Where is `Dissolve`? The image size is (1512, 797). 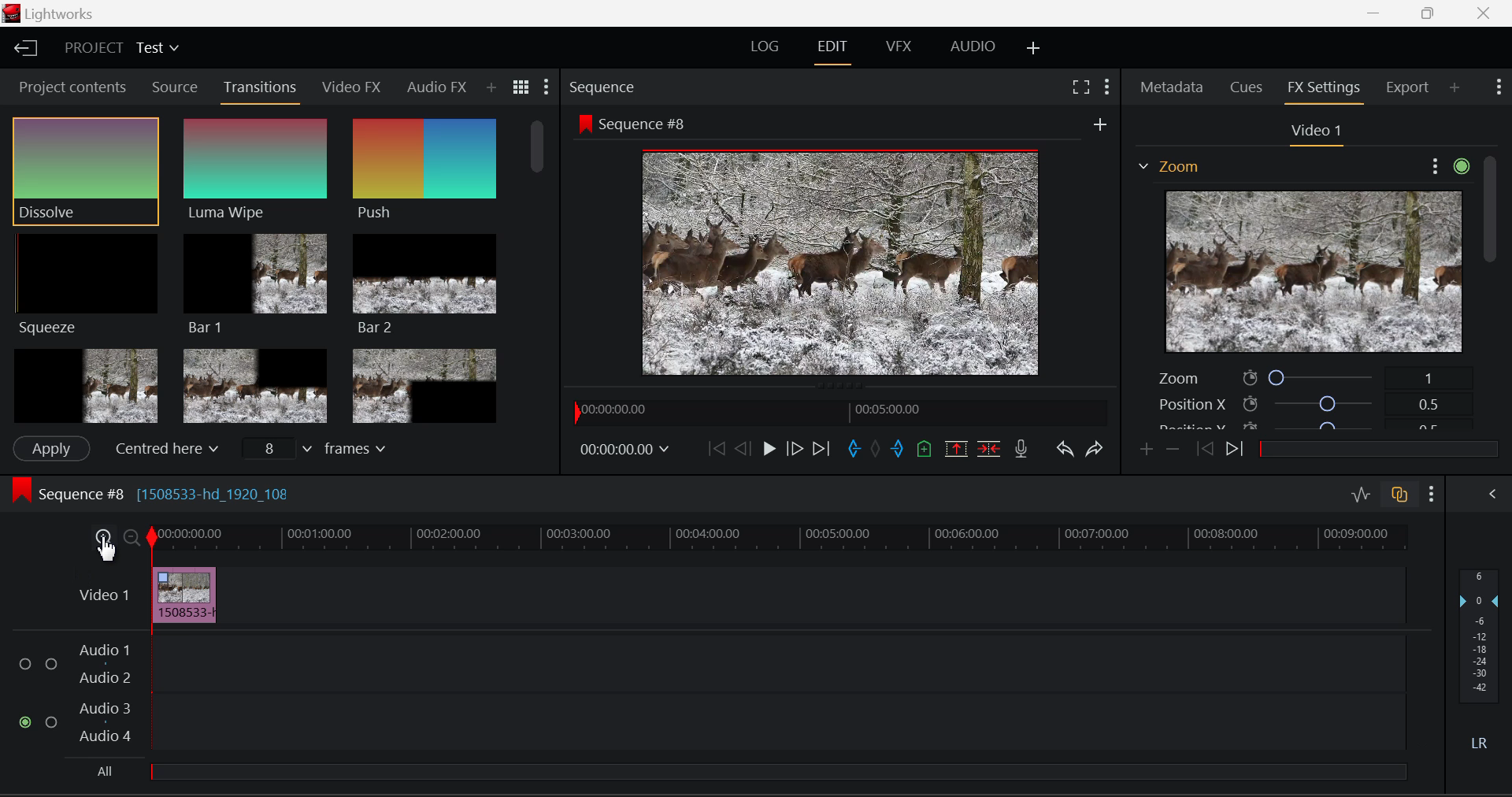
Dissolve is located at coordinates (85, 171).